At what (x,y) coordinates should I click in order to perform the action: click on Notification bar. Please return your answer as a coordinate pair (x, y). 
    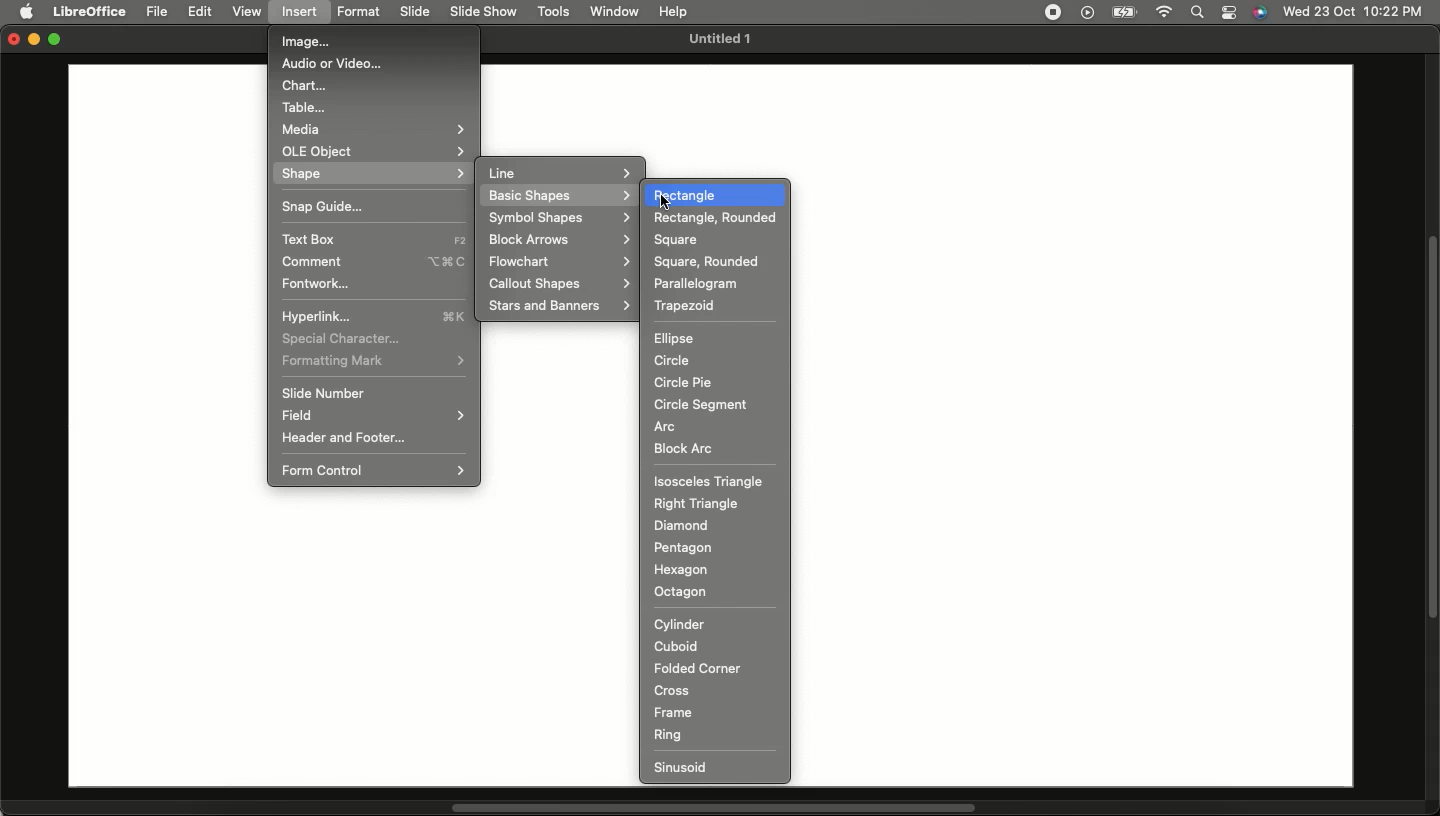
    Looking at the image, I should click on (1230, 13).